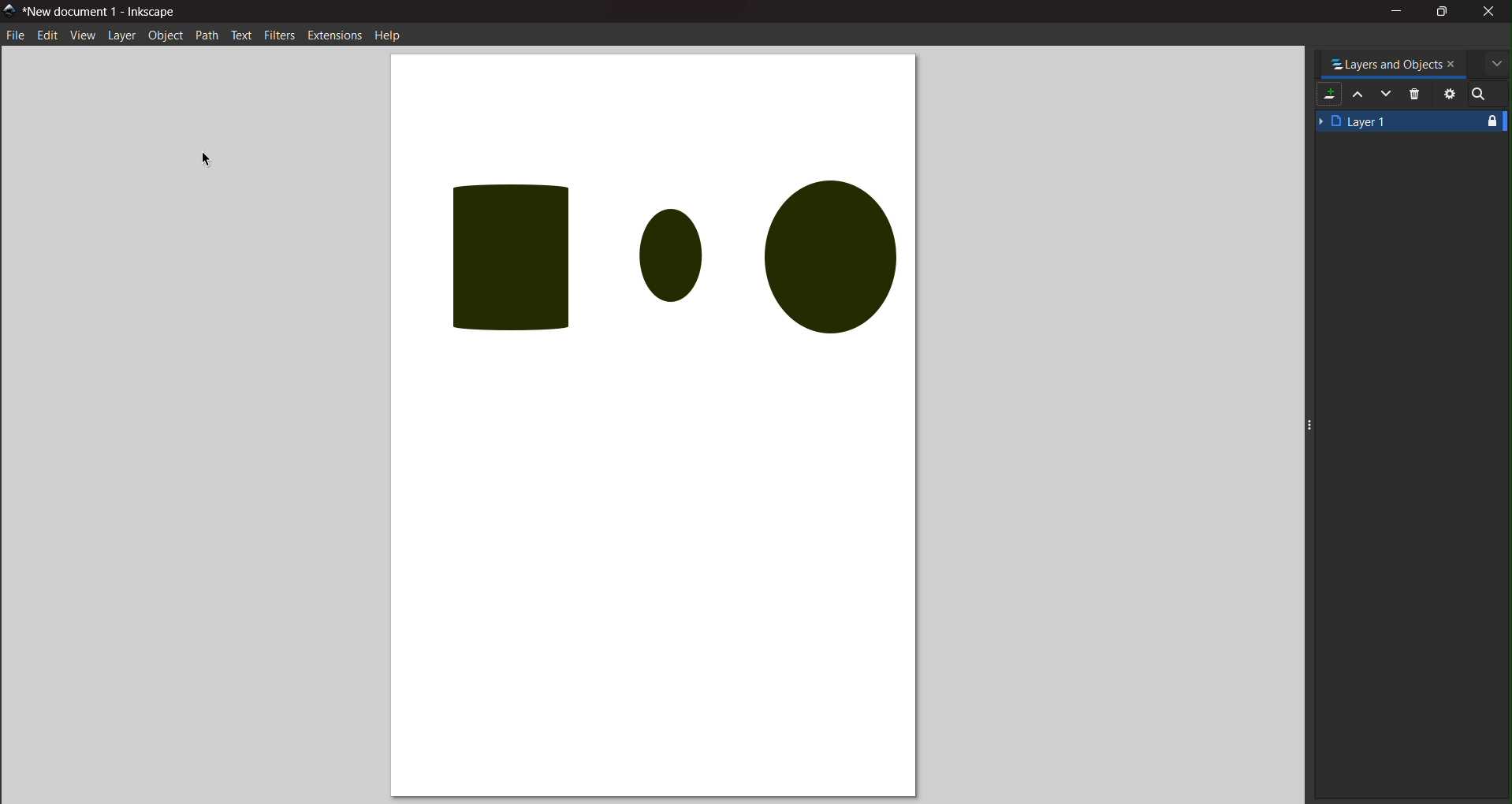 The image size is (1512, 804). What do you see at coordinates (1328, 95) in the screenshot?
I see `add layer` at bounding box center [1328, 95].